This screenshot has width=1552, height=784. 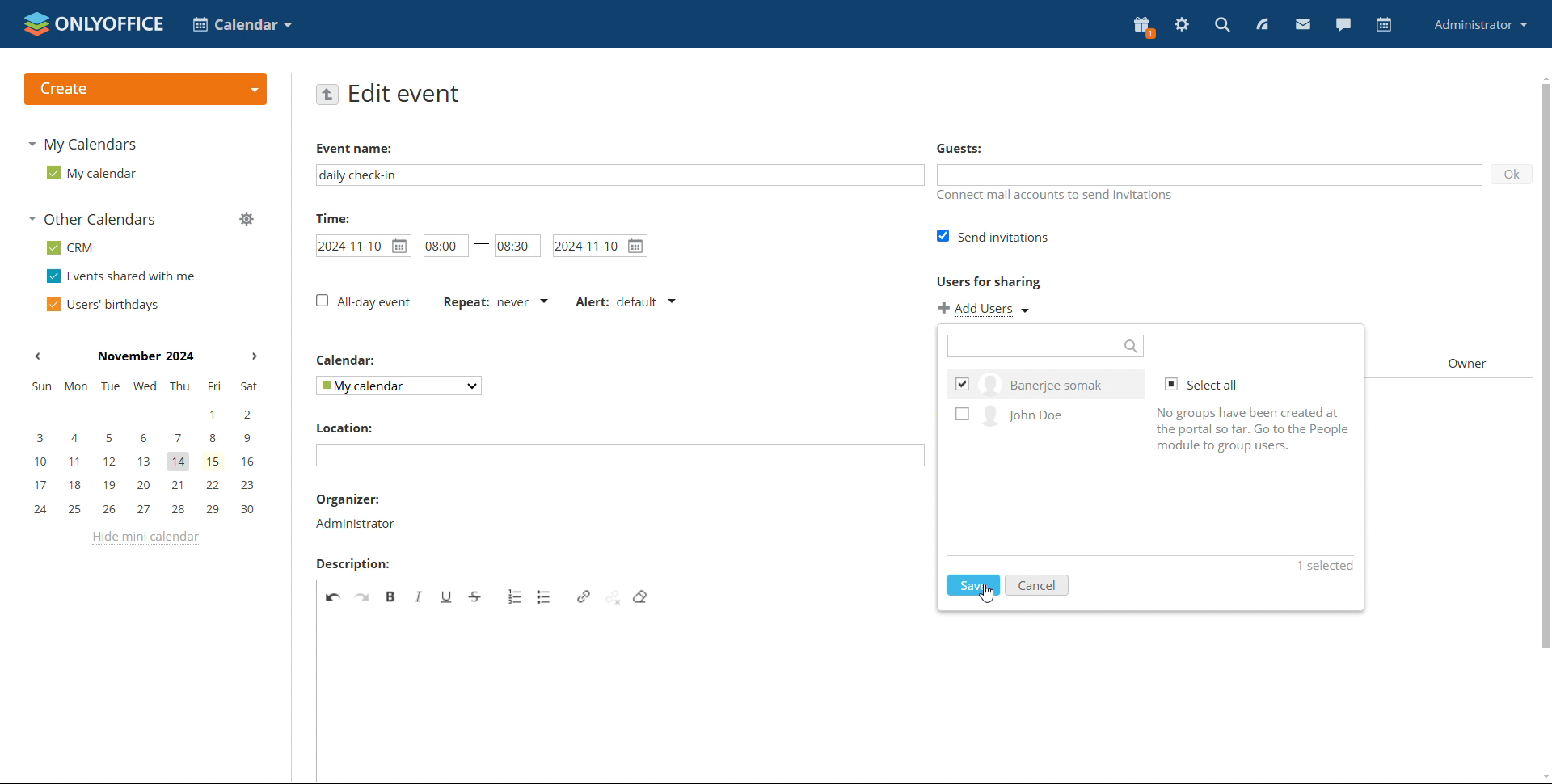 I want to click on calendar, so click(x=1382, y=25).